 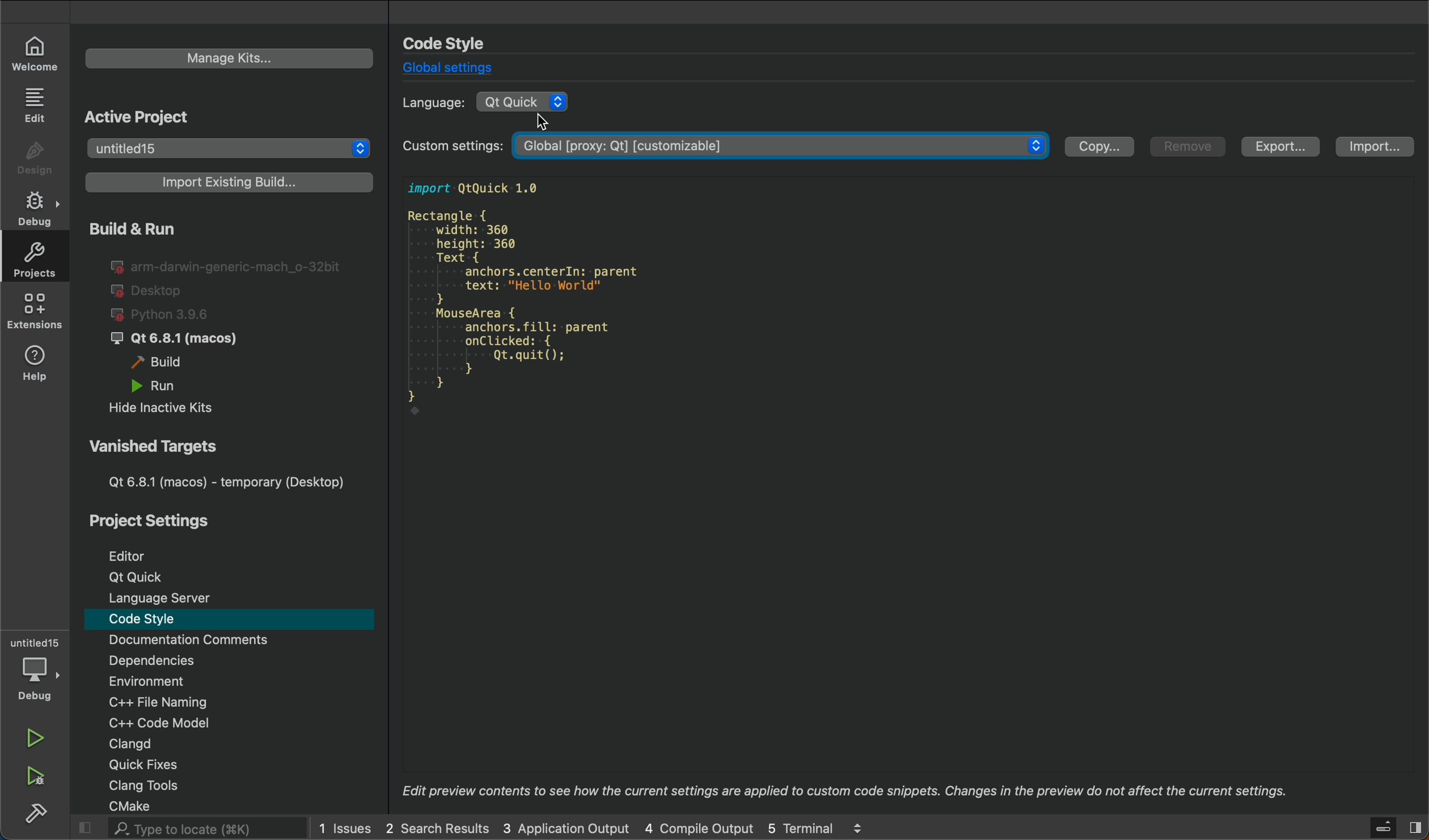 I want to click on build, so click(x=33, y=814).